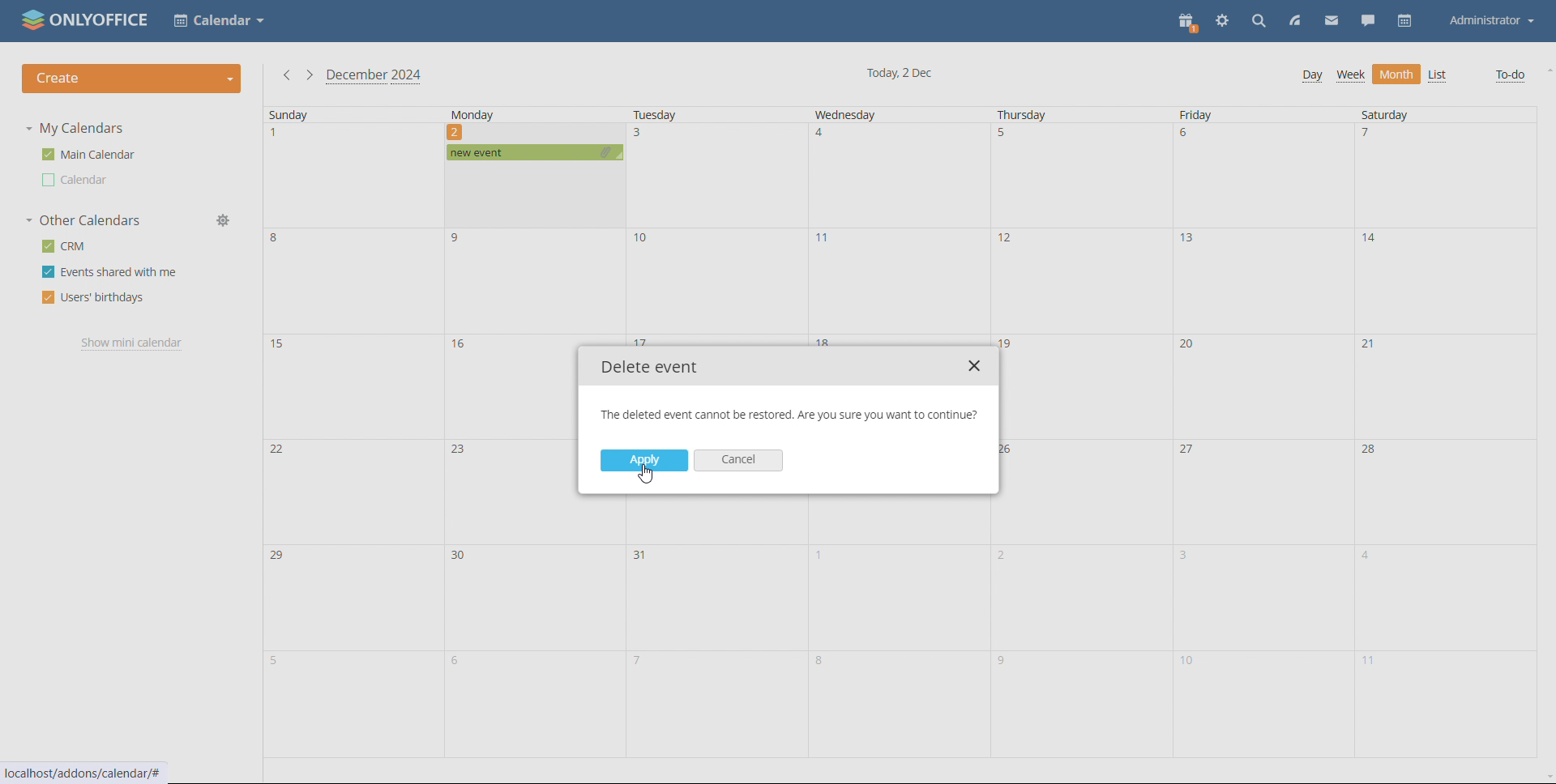  I want to click on Week, so click(1351, 75).